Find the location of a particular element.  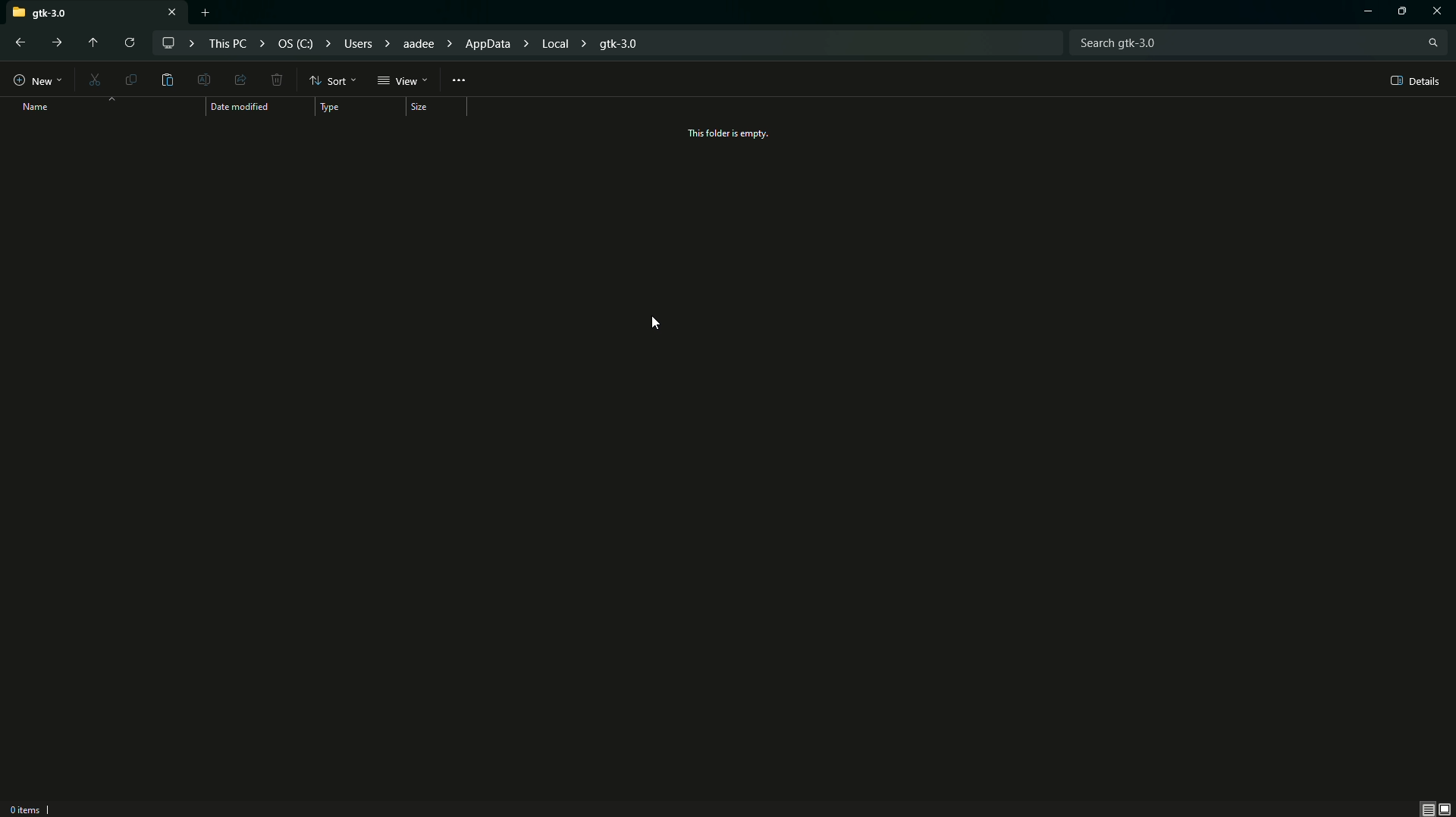

Copy is located at coordinates (131, 80).